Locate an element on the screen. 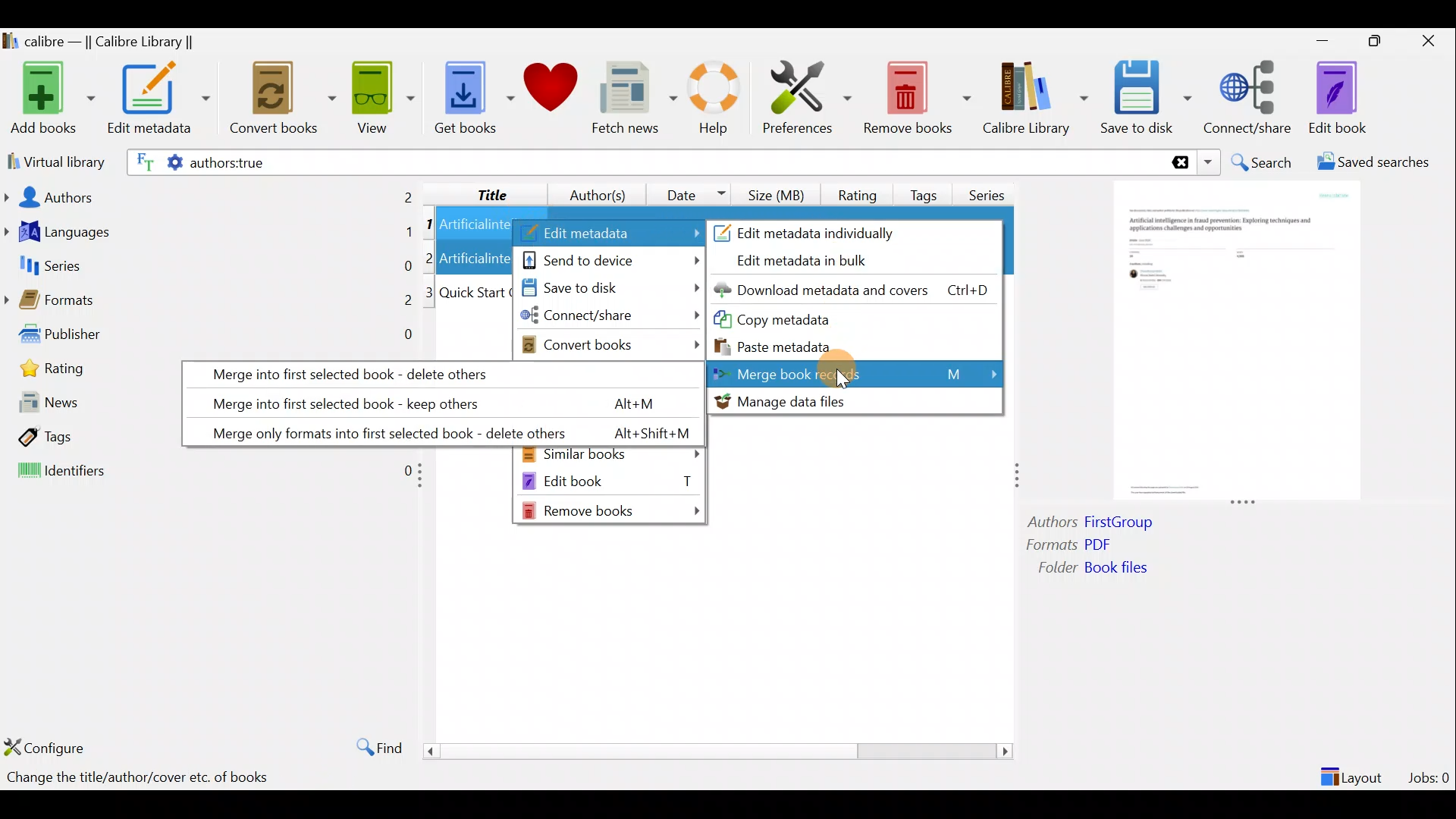 The image size is (1456, 819). Size is located at coordinates (780, 193).